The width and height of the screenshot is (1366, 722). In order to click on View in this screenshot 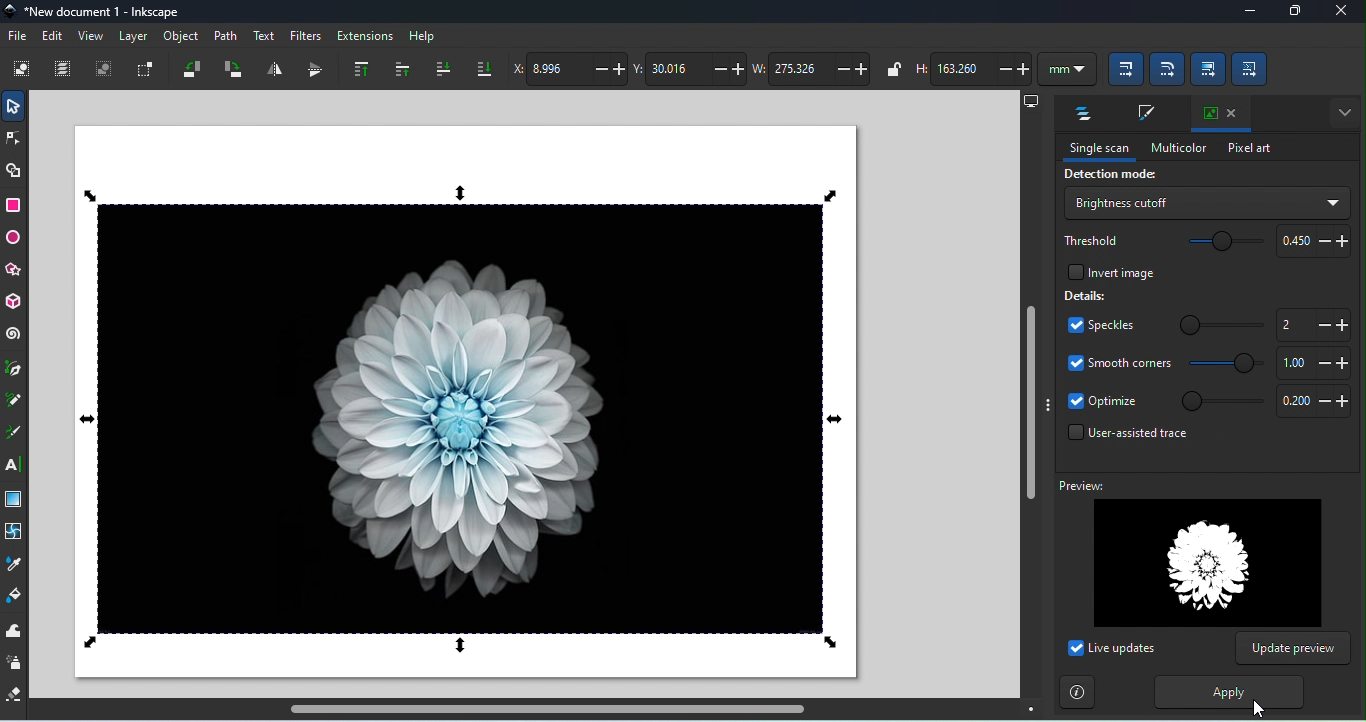, I will do `click(91, 39)`.